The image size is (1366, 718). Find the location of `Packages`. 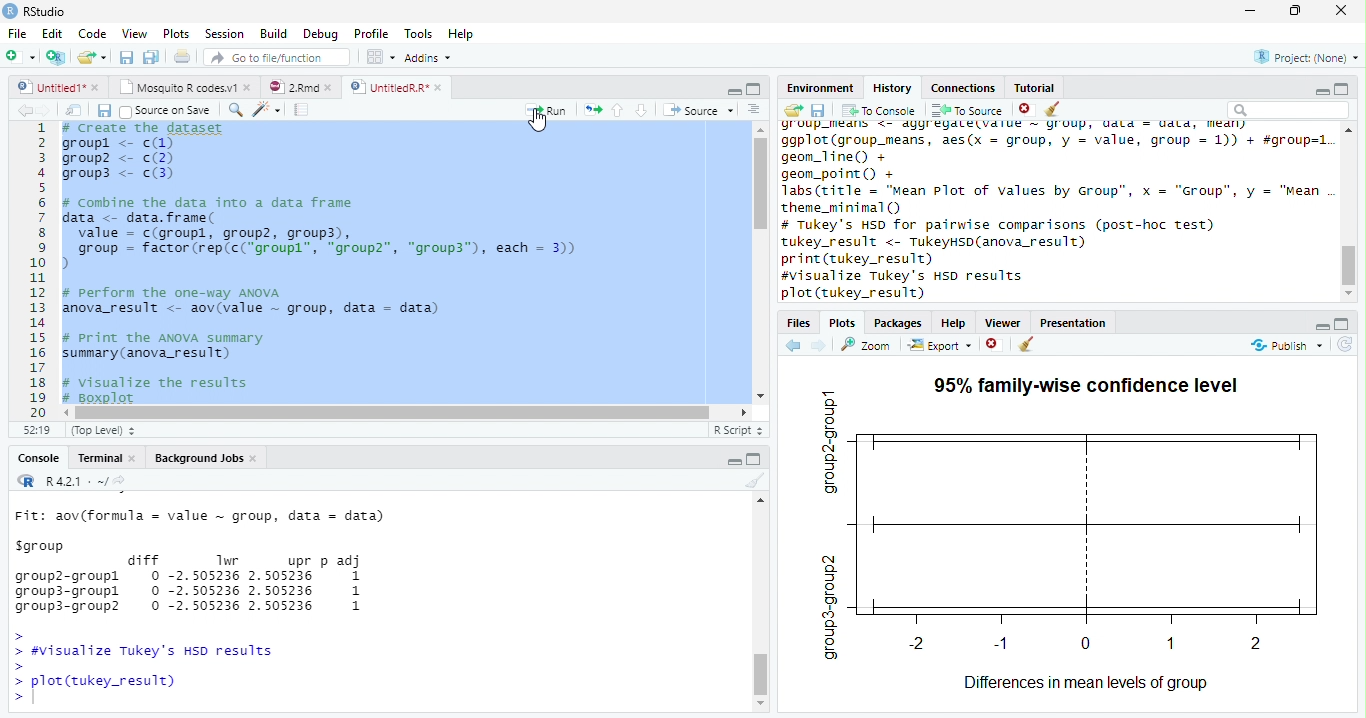

Packages is located at coordinates (900, 323).